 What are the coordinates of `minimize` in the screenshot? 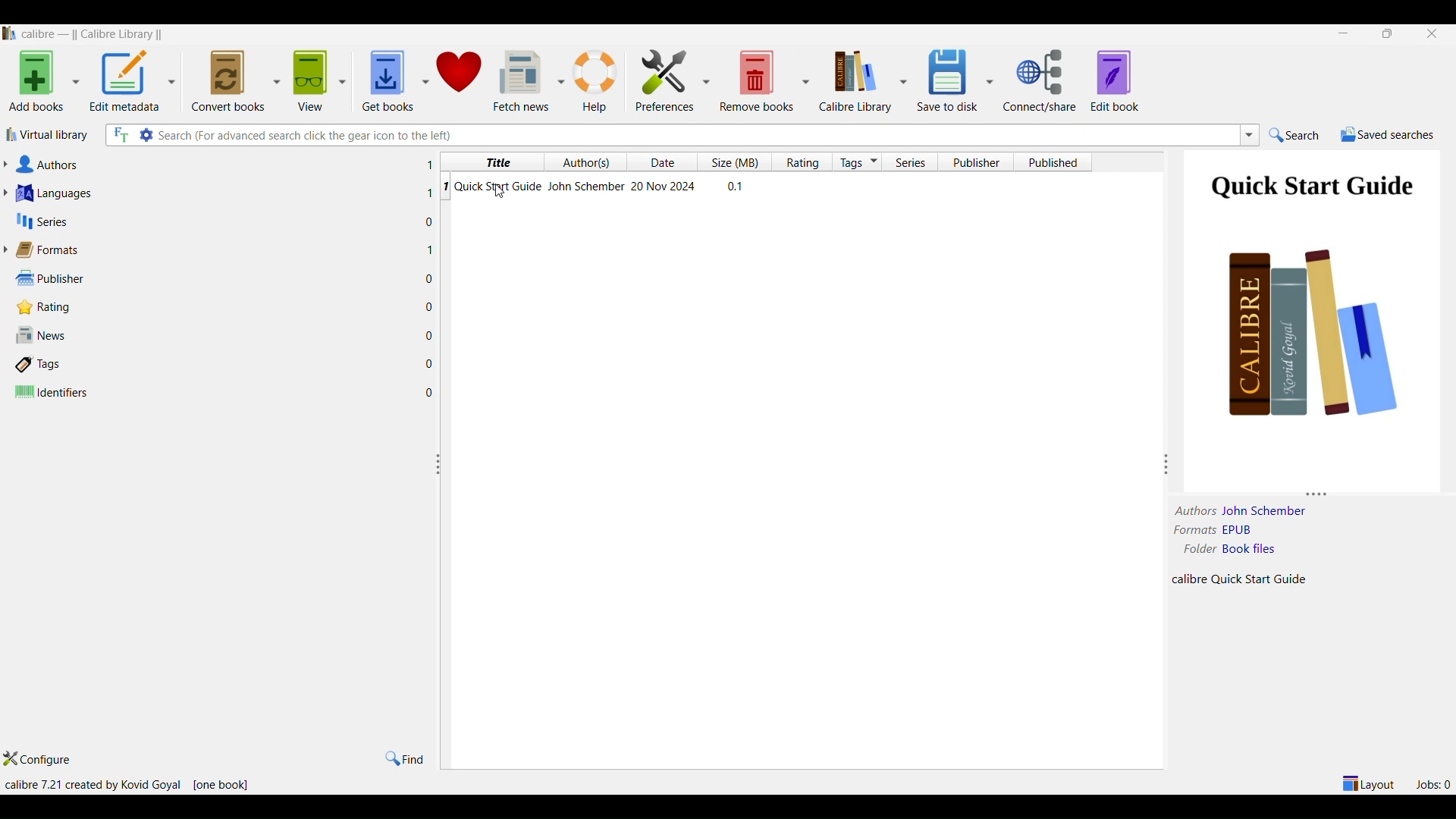 It's located at (1341, 33).